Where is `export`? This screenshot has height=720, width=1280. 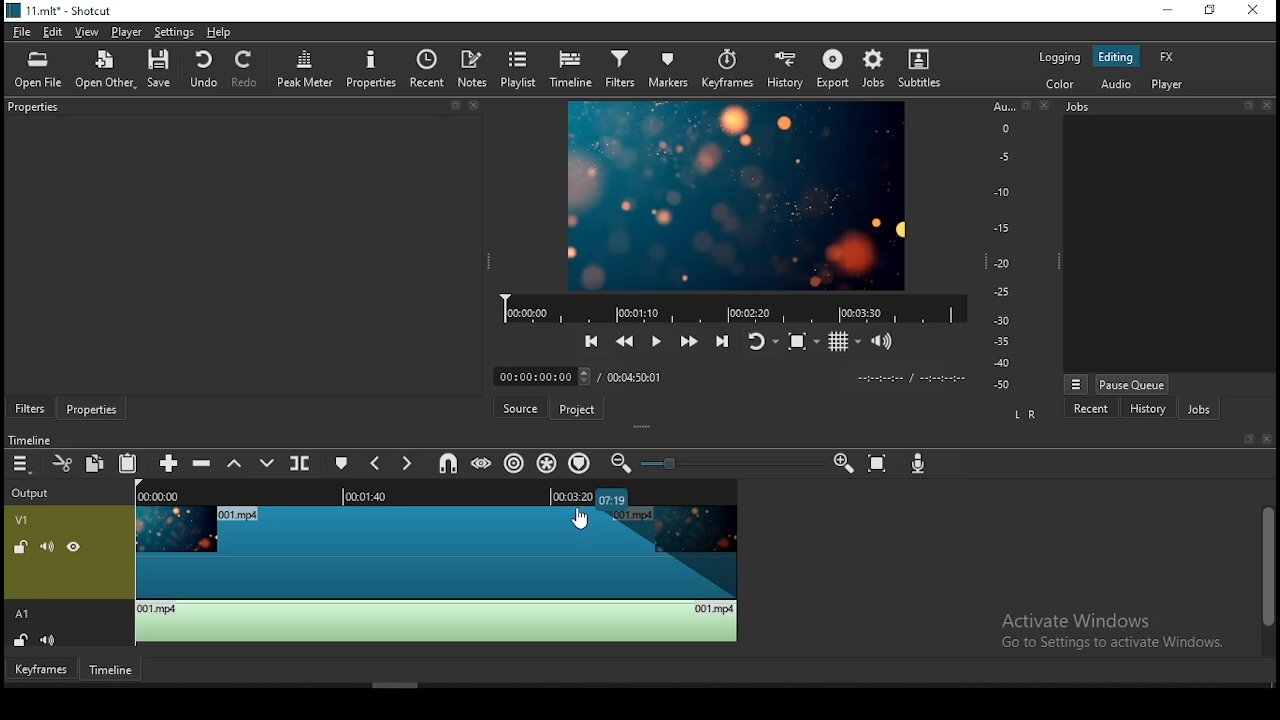 export is located at coordinates (834, 66).